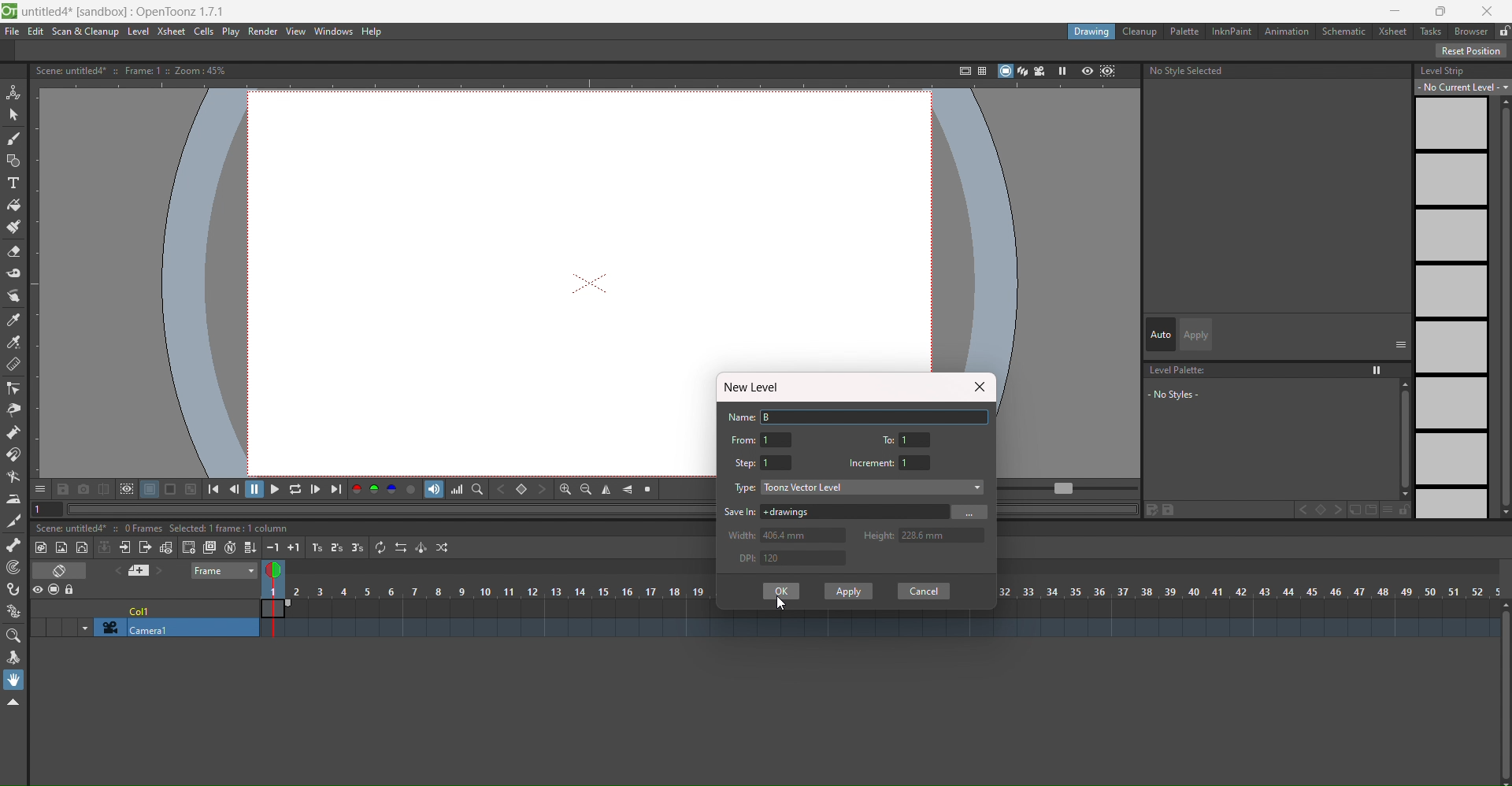 Image resolution: width=1512 pixels, height=786 pixels. What do you see at coordinates (103, 488) in the screenshot?
I see `tool` at bounding box center [103, 488].